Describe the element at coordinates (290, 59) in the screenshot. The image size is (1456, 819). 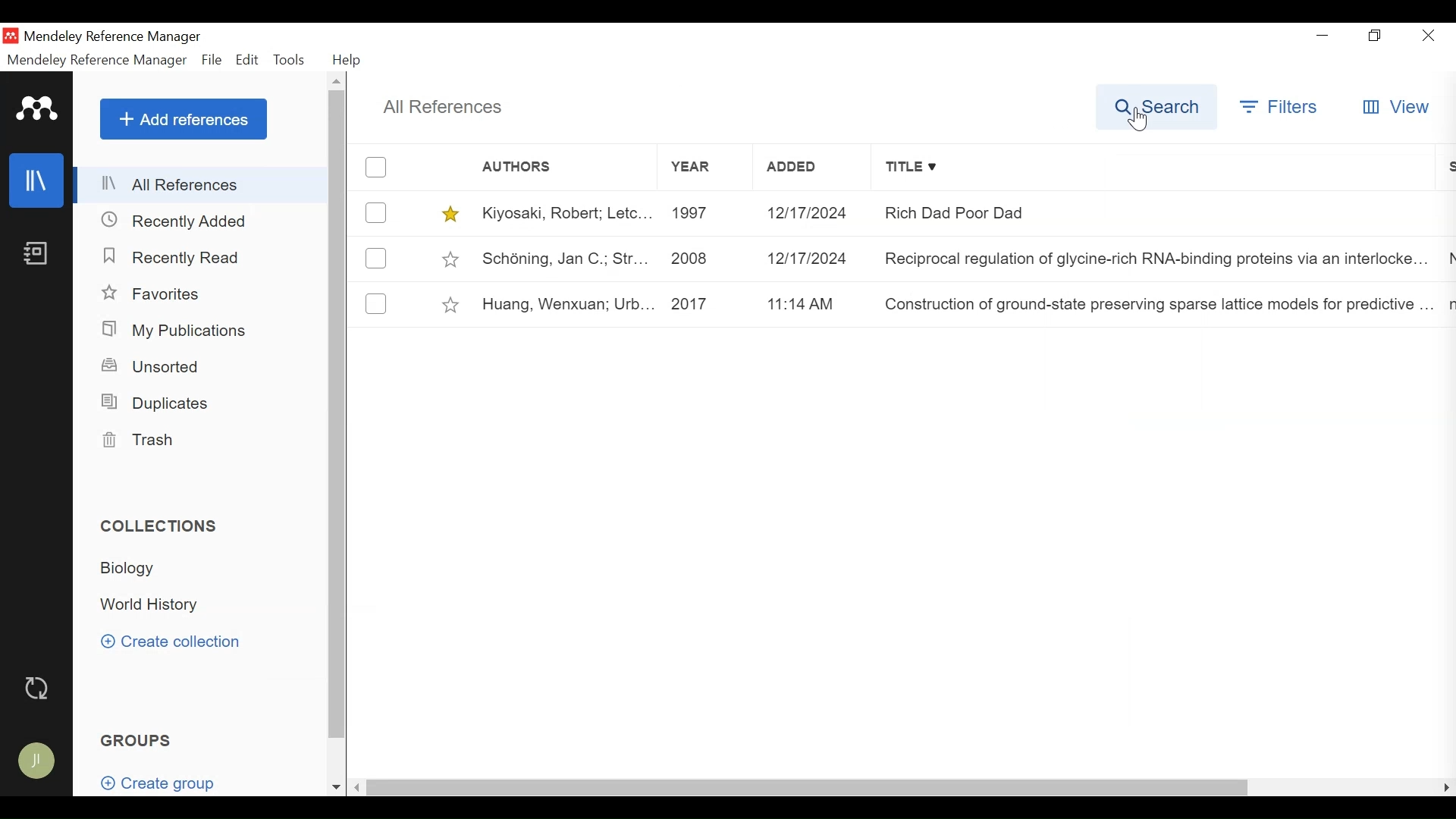
I see `Tools` at that location.